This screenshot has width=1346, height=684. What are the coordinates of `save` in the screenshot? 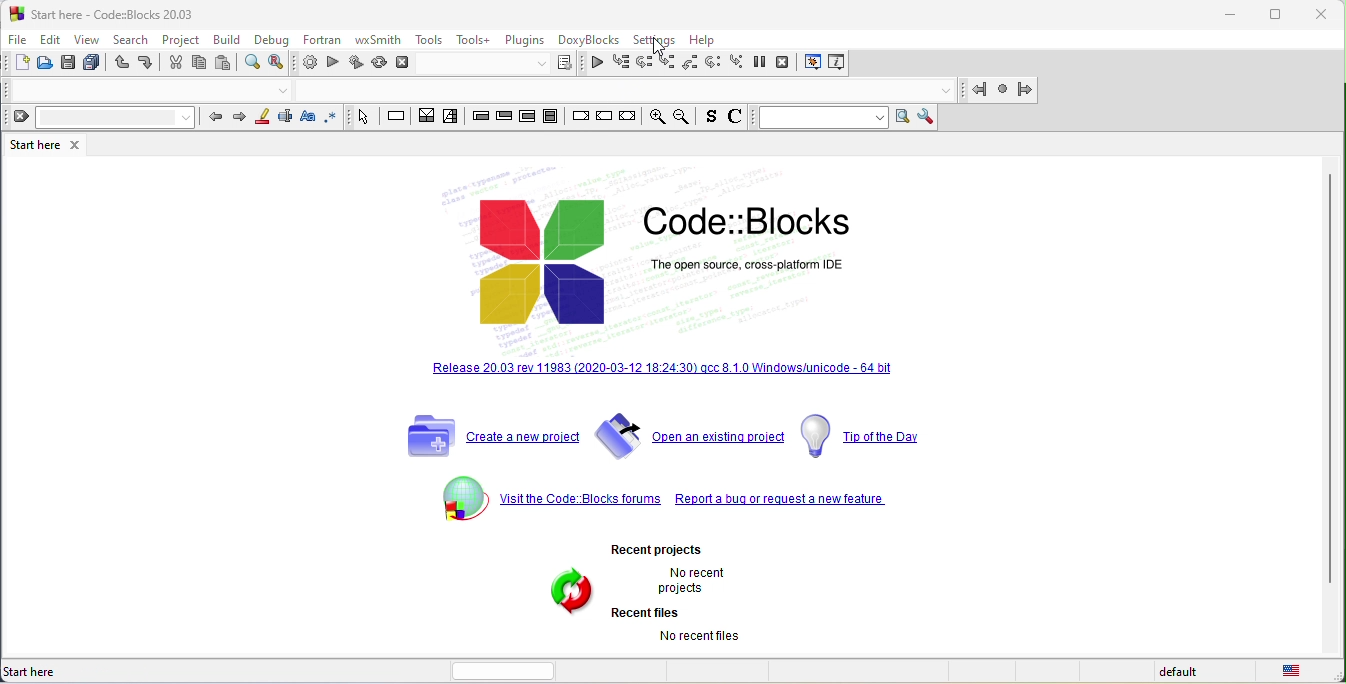 It's located at (69, 67).